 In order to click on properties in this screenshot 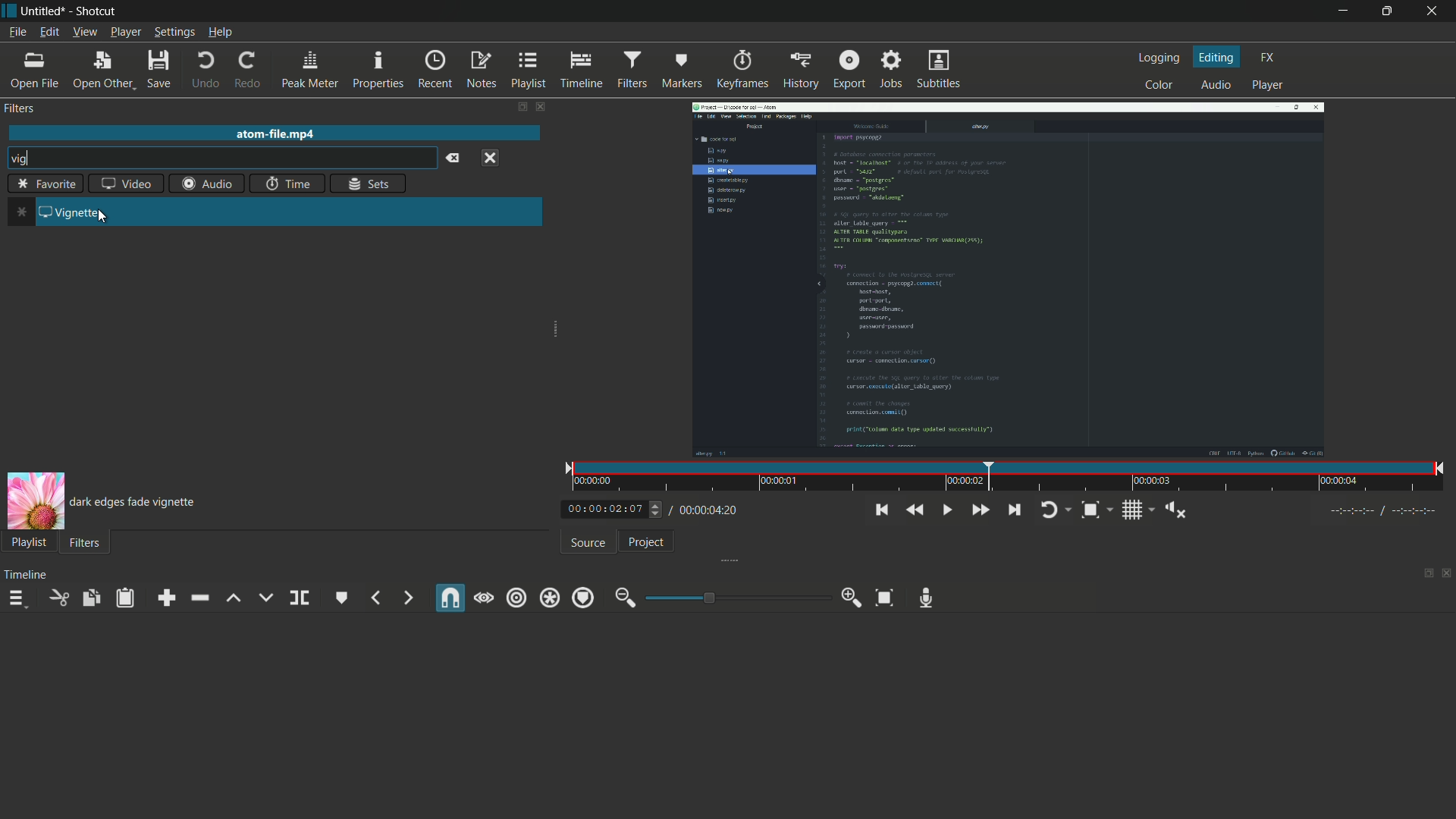, I will do `click(377, 71)`.